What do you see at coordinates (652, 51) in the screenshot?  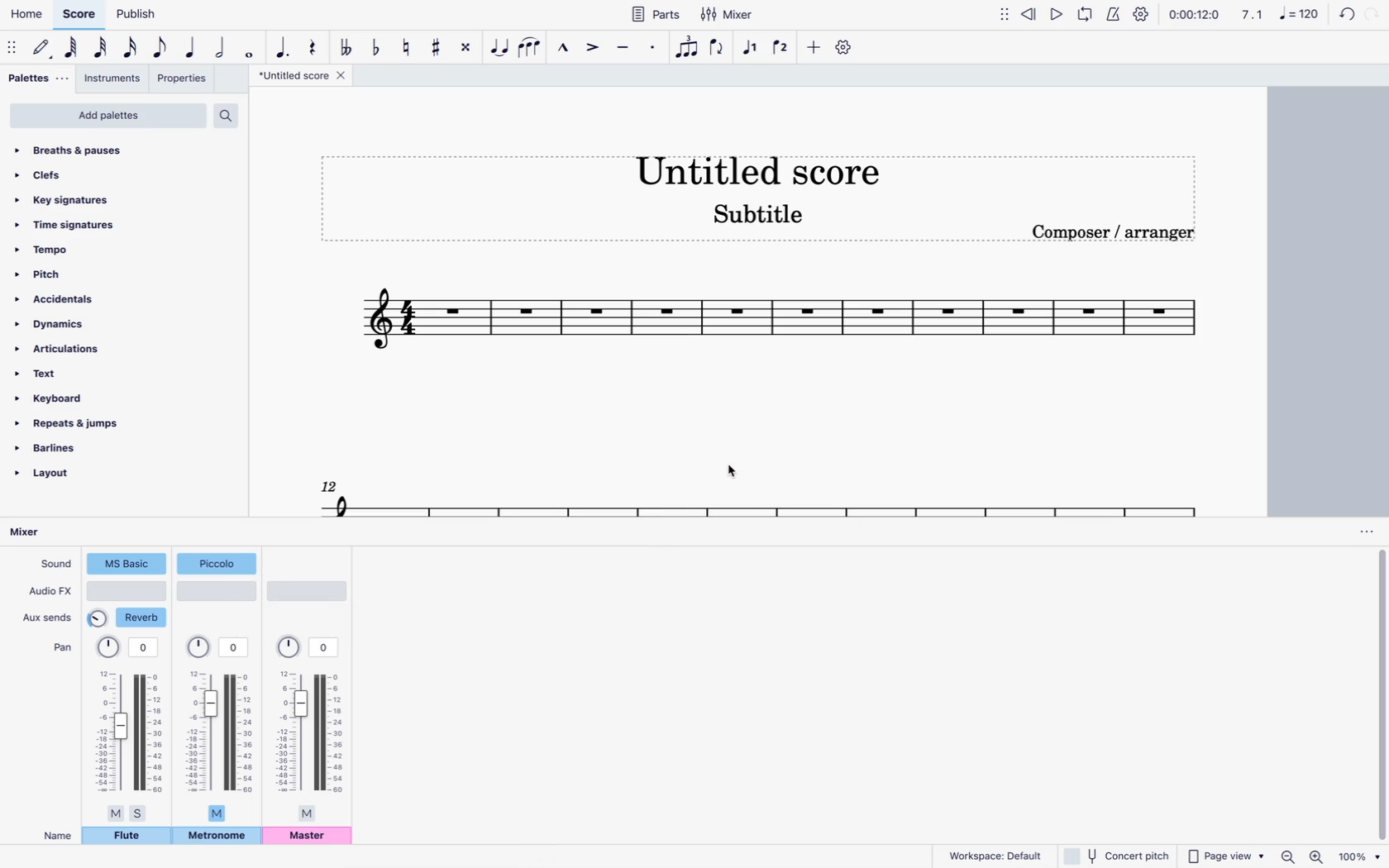 I see `staccato` at bounding box center [652, 51].